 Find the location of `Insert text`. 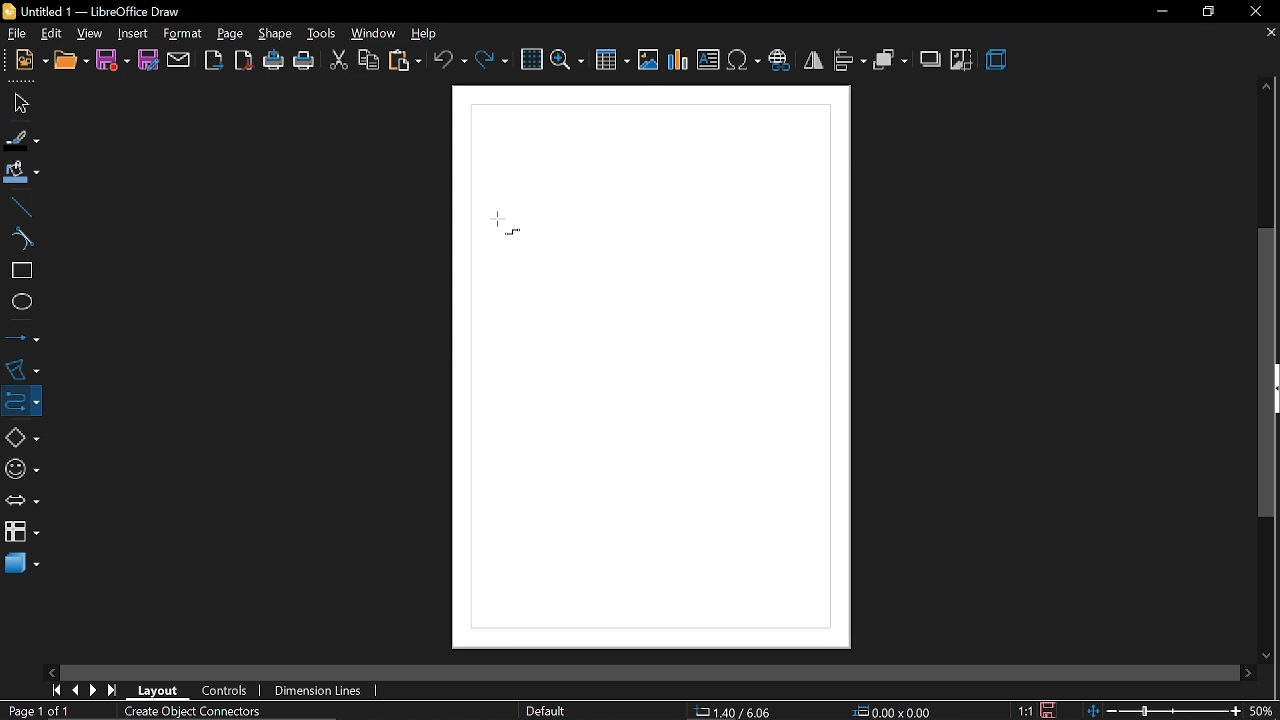

Insert text is located at coordinates (708, 60).